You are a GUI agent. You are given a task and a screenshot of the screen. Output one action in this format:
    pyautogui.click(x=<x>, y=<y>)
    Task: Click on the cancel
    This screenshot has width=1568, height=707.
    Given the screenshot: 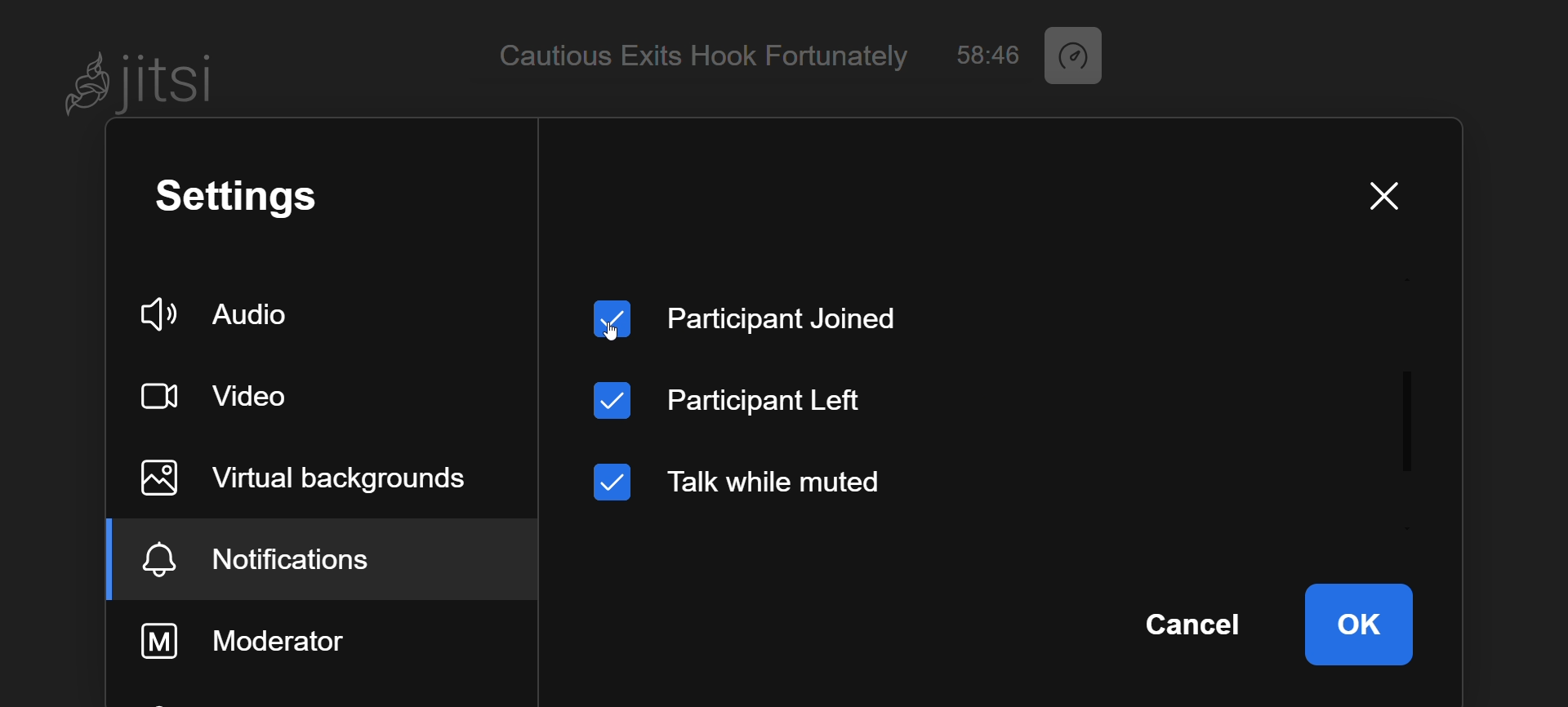 What is the action you would take?
    pyautogui.click(x=1192, y=620)
    